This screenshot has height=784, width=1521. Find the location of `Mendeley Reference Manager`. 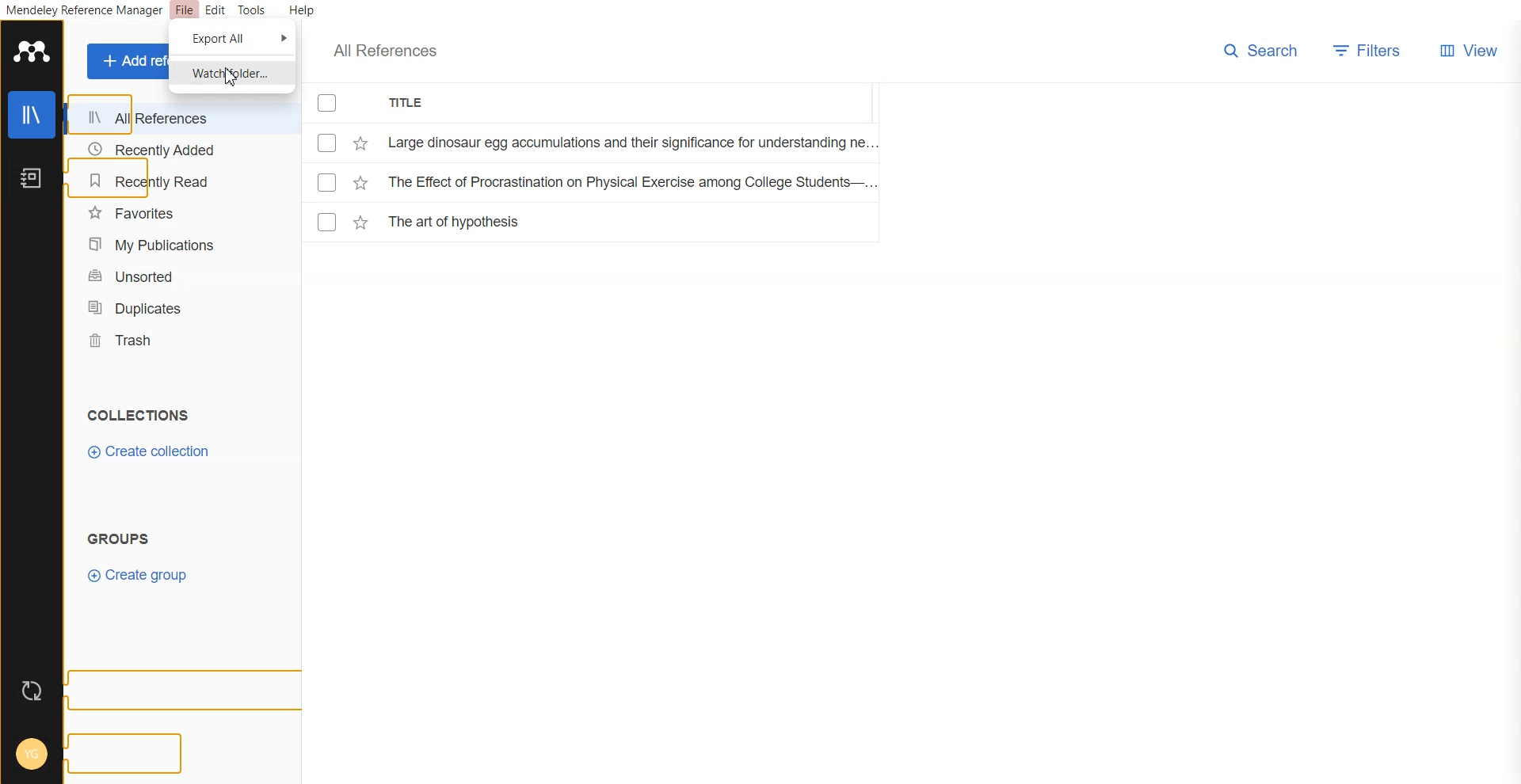

Mendeley Reference Manager is located at coordinates (83, 11).